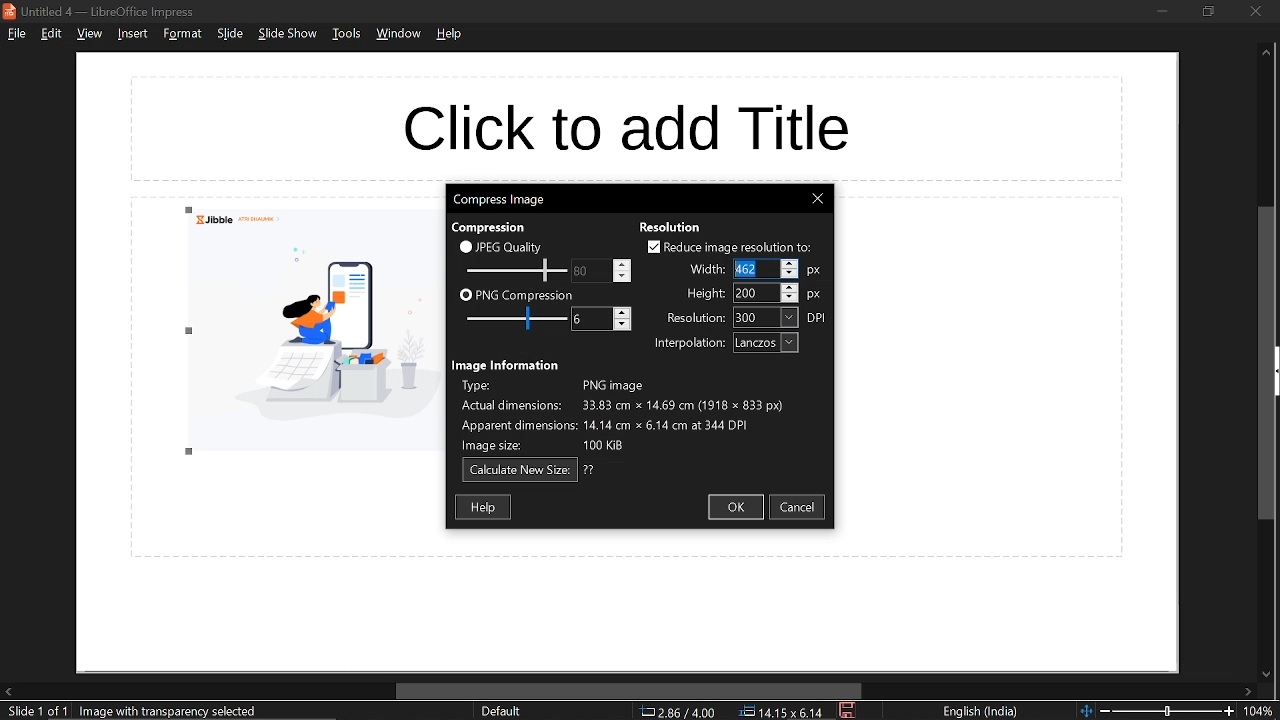 The image size is (1280, 720). Describe the element at coordinates (815, 296) in the screenshot. I see `height unit: px` at that location.